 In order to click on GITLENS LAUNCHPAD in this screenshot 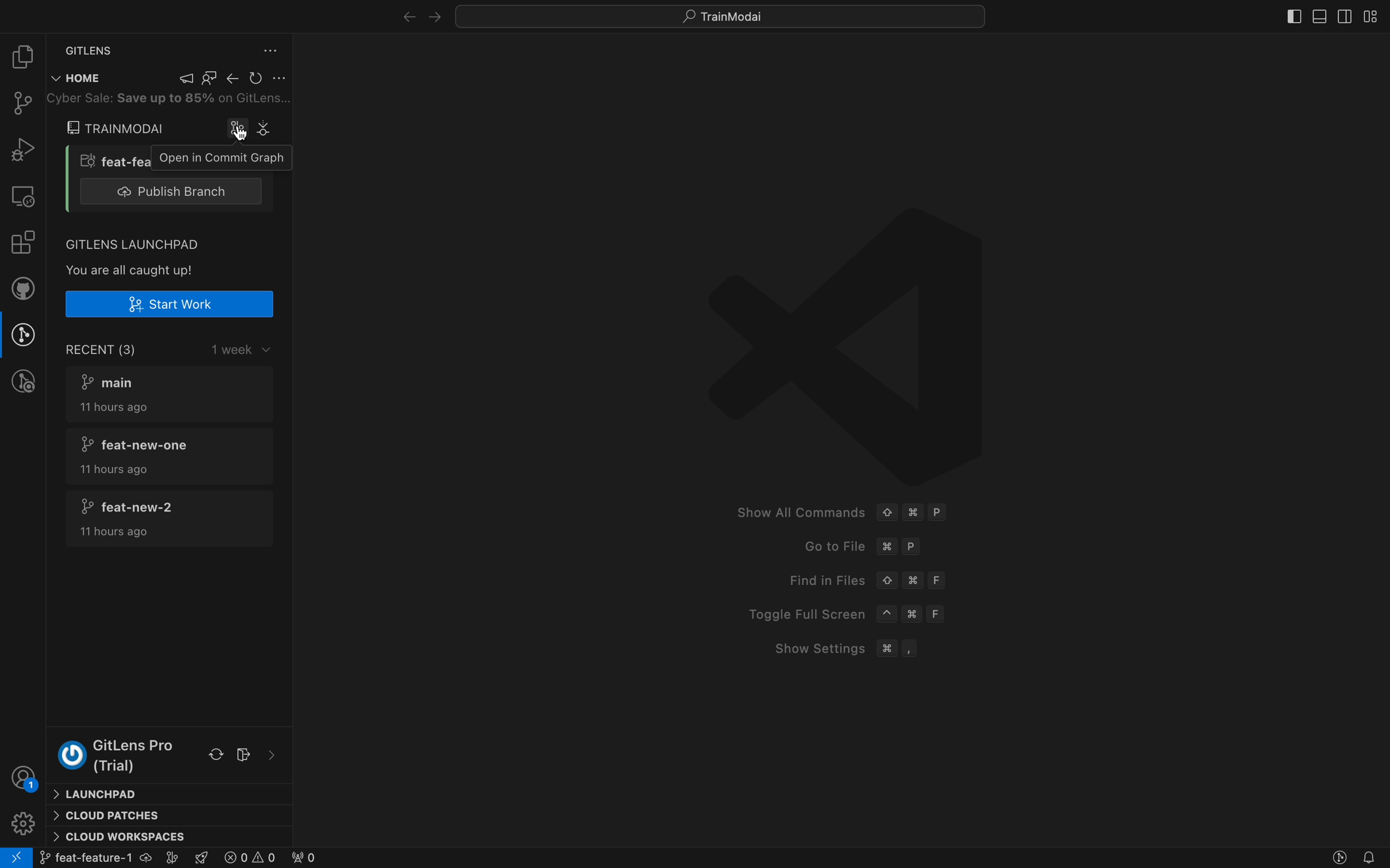, I will do `click(133, 242)`.